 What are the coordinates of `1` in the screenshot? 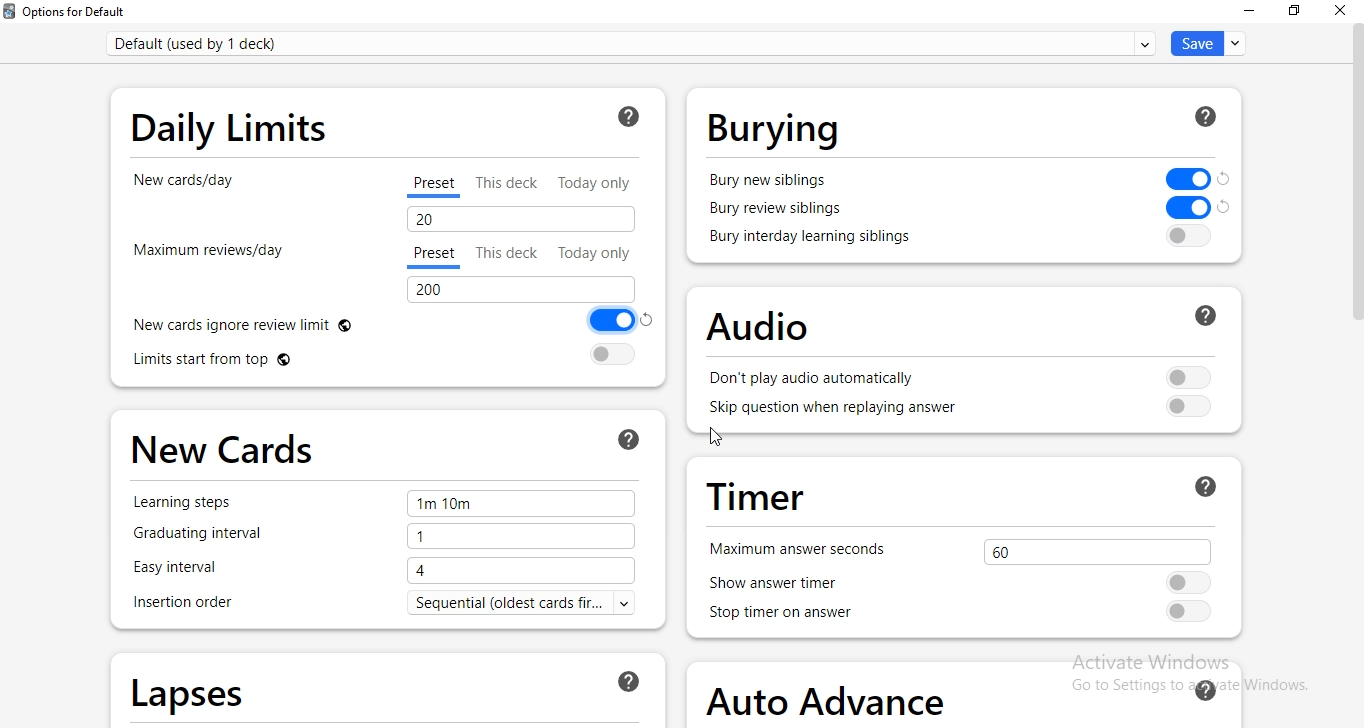 It's located at (519, 537).